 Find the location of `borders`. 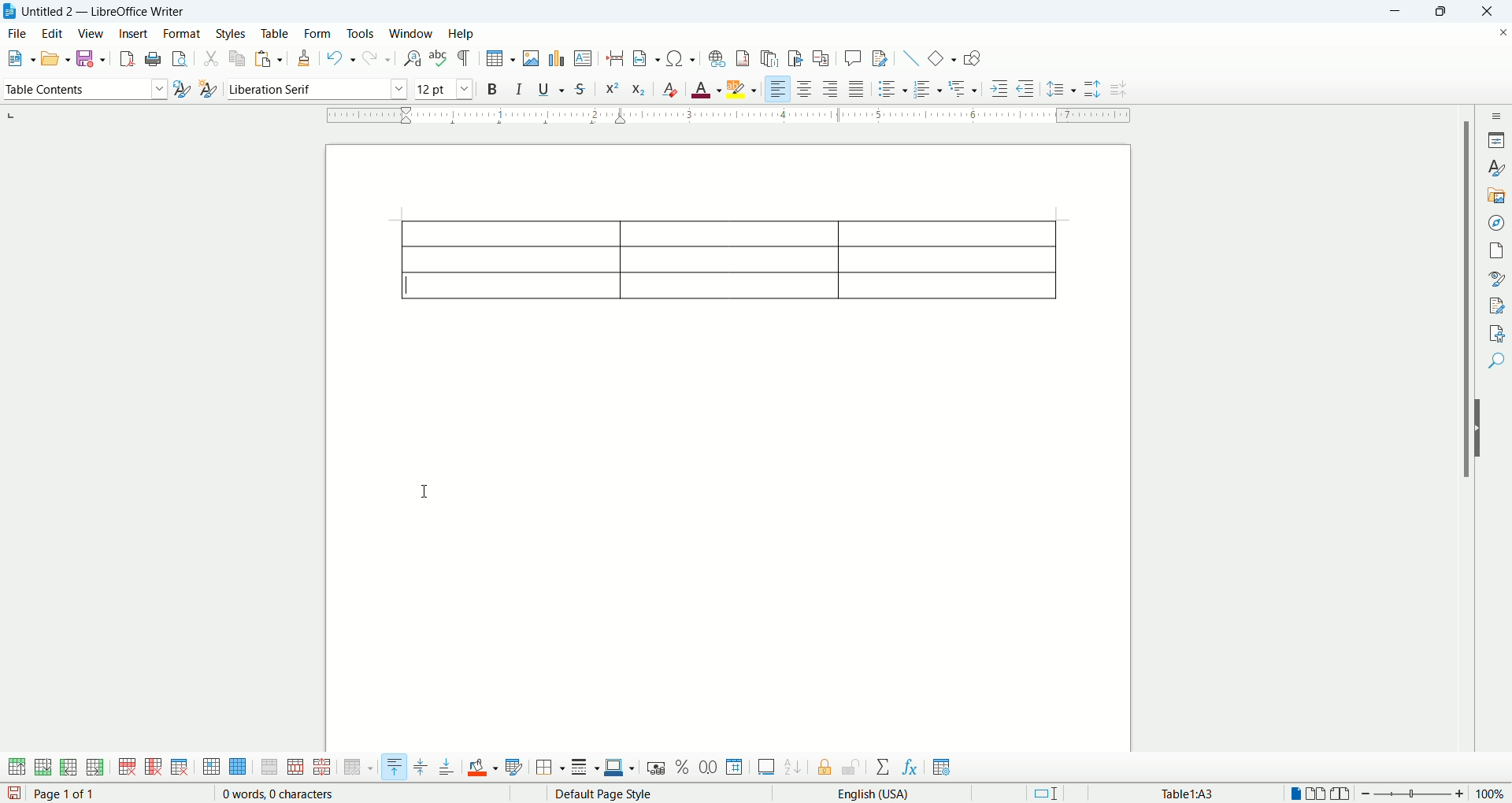

borders is located at coordinates (550, 768).